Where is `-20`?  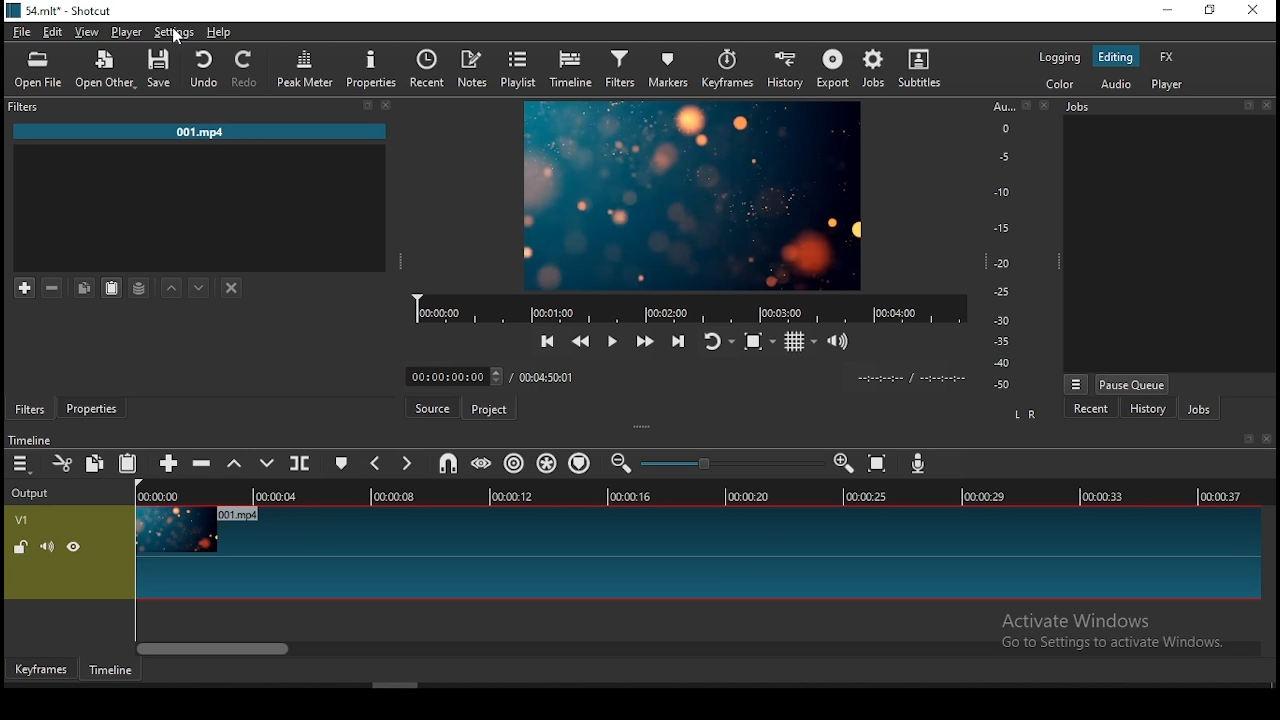 -20 is located at coordinates (1002, 263).